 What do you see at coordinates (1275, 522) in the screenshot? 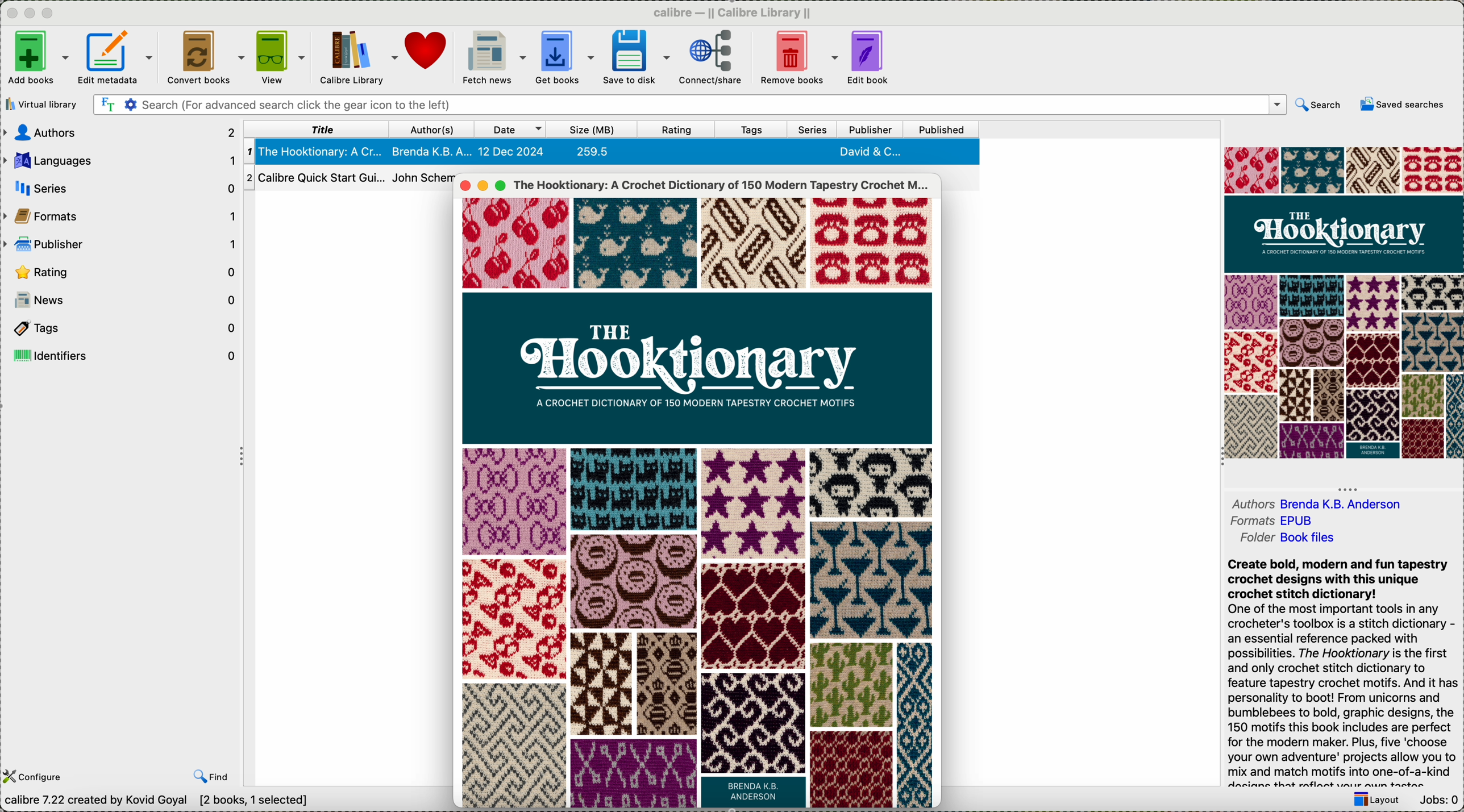
I see `formats` at bounding box center [1275, 522].